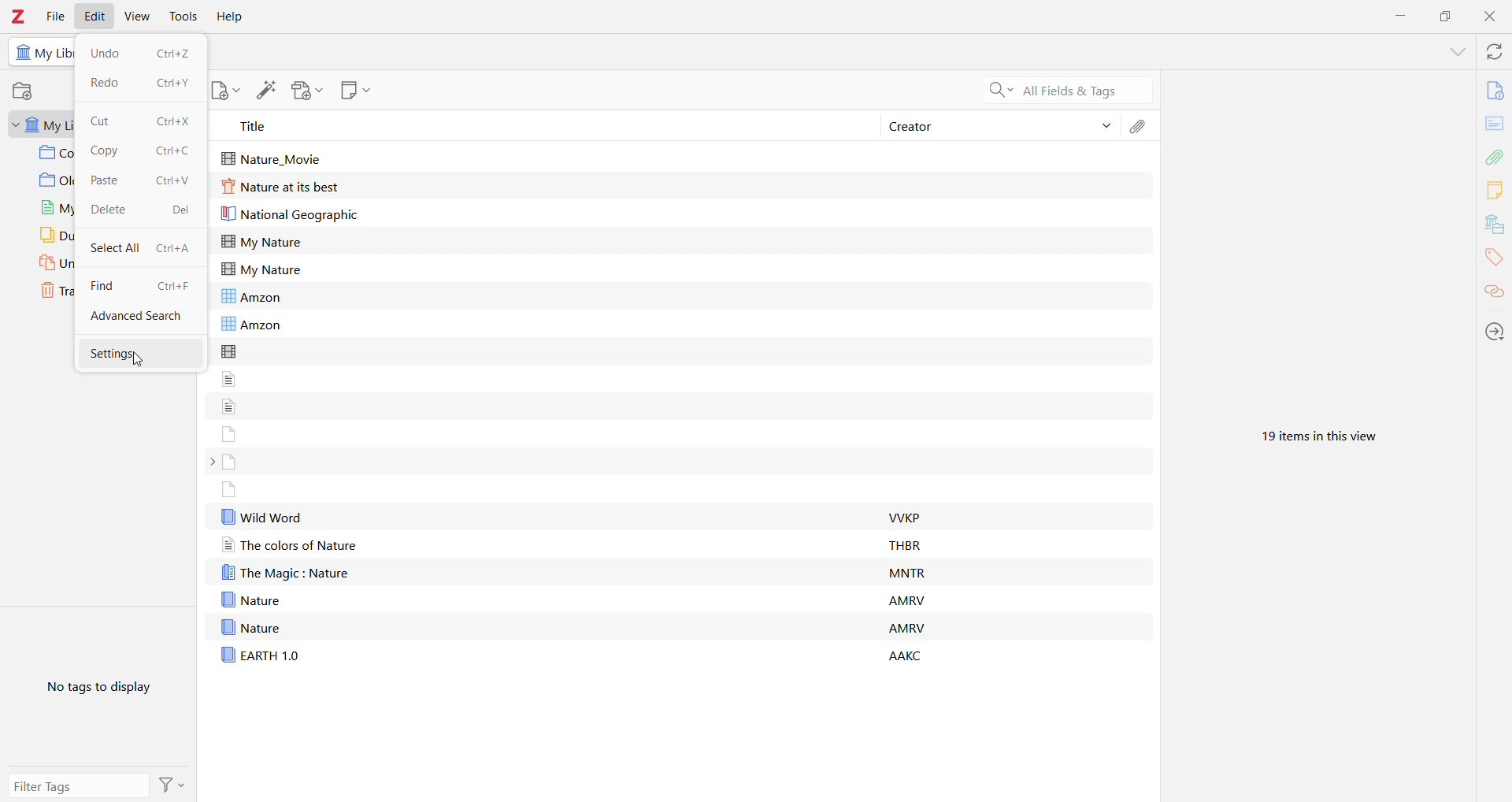  I want to click on Filter Tags, so click(80, 786).